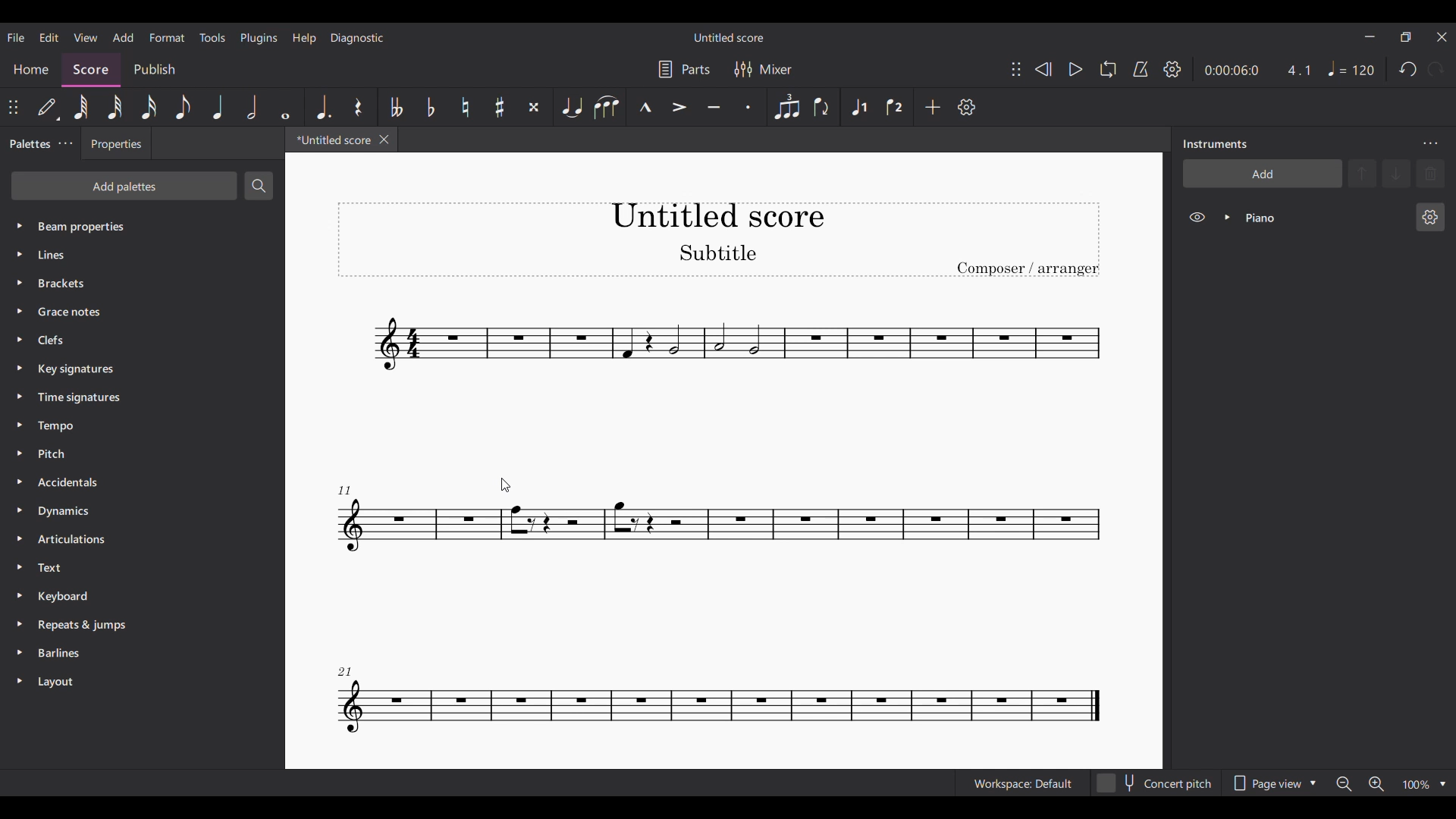  Describe the element at coordinates (154, 67) in the screenshot. I see `Publish section` at that location.